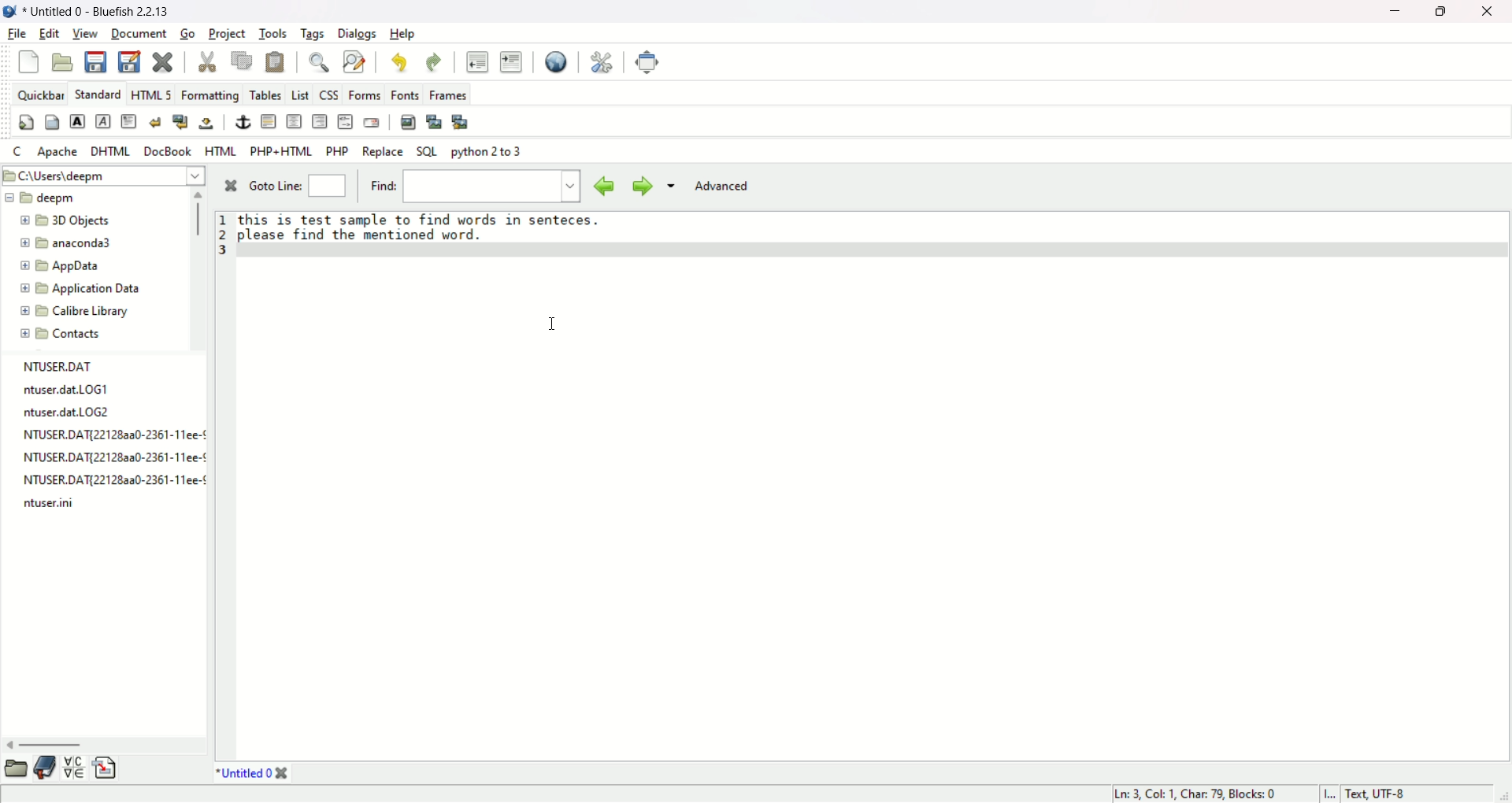  Describe the element at coordinates (211, 94) in the screenshot. I see `formatting` at that location.